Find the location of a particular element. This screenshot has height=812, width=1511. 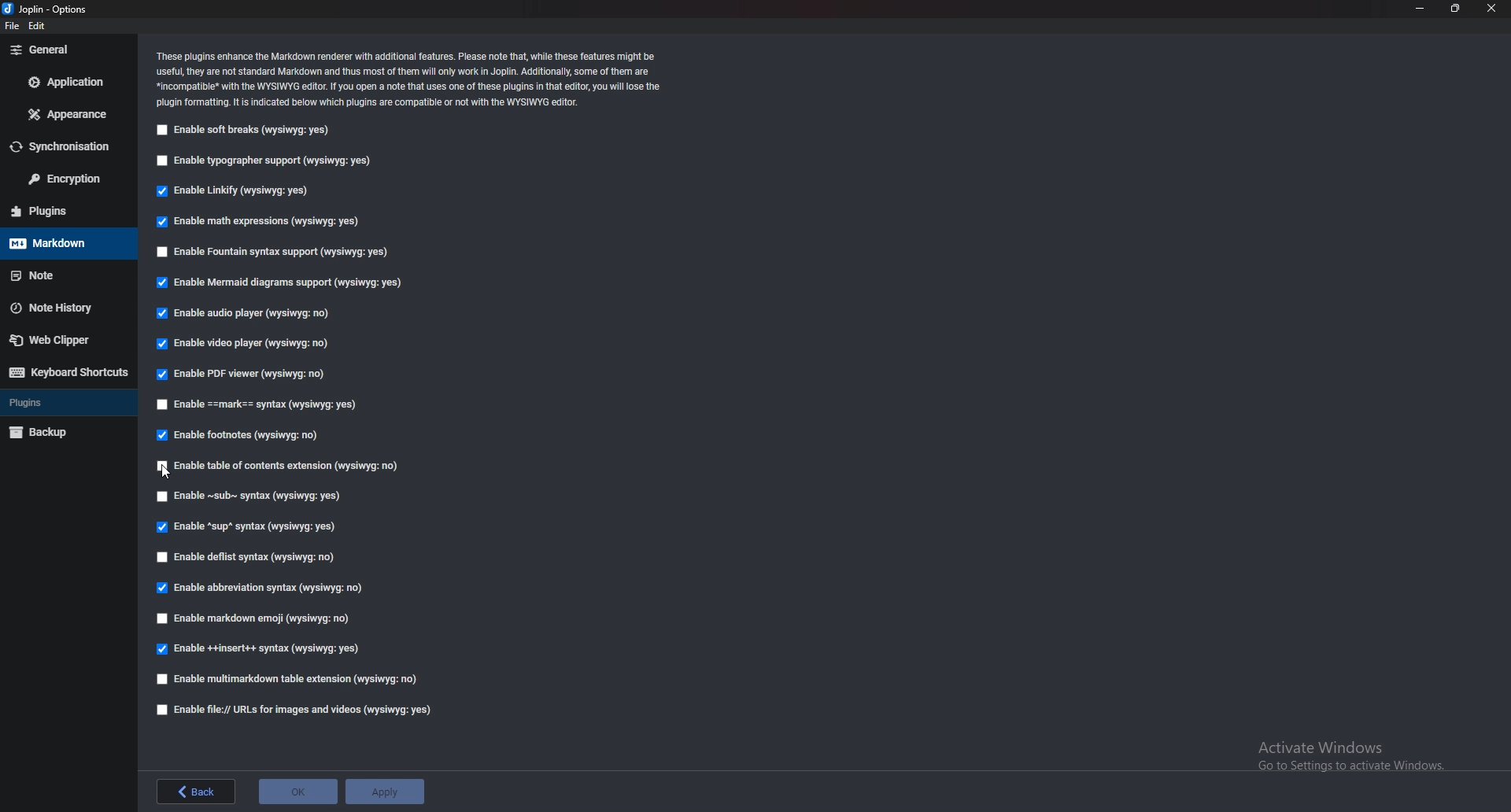

markdown is located at coordinates (66, 243).